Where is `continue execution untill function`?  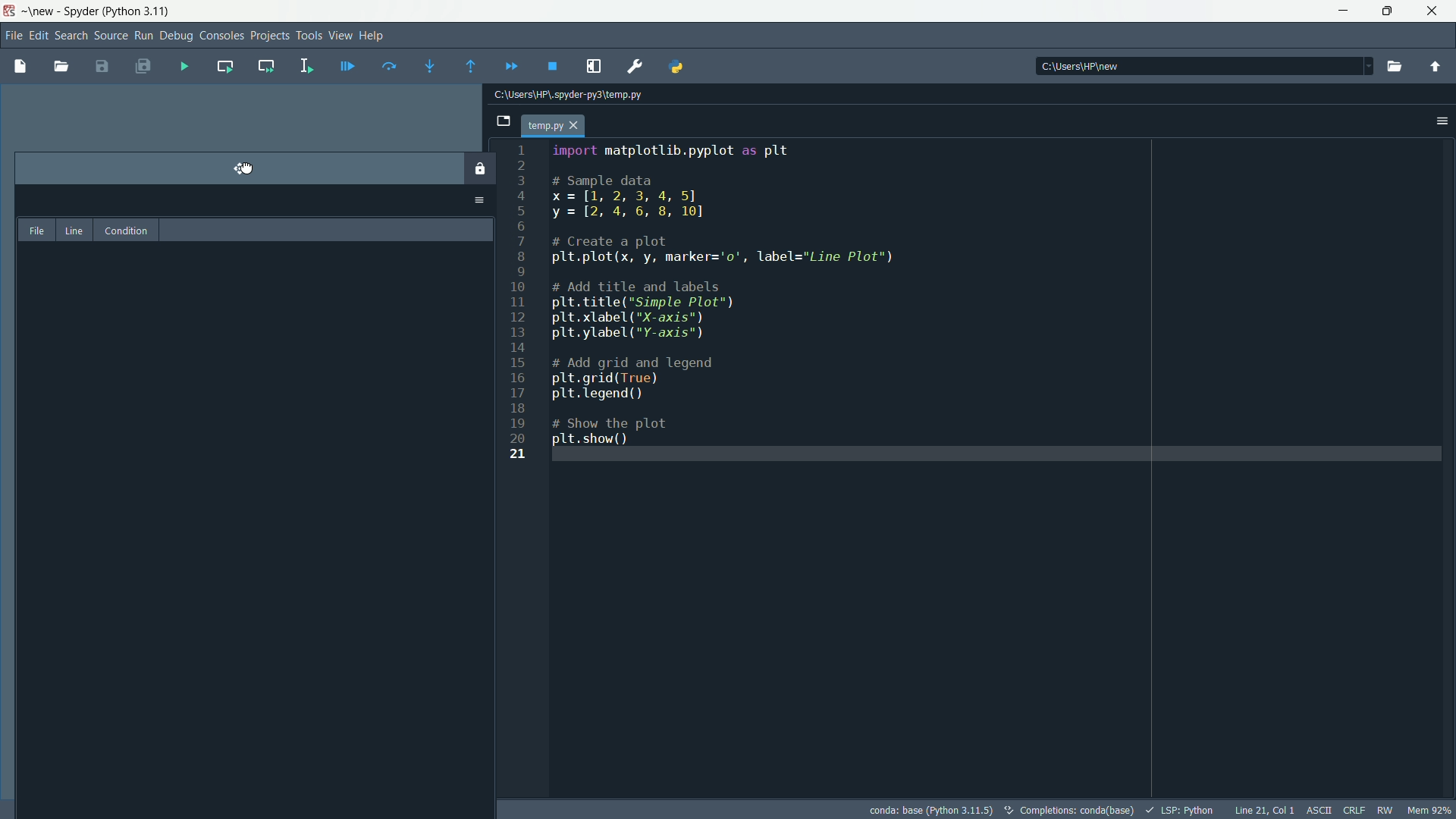
continue execution untill function is located at coordinates (468, 66).